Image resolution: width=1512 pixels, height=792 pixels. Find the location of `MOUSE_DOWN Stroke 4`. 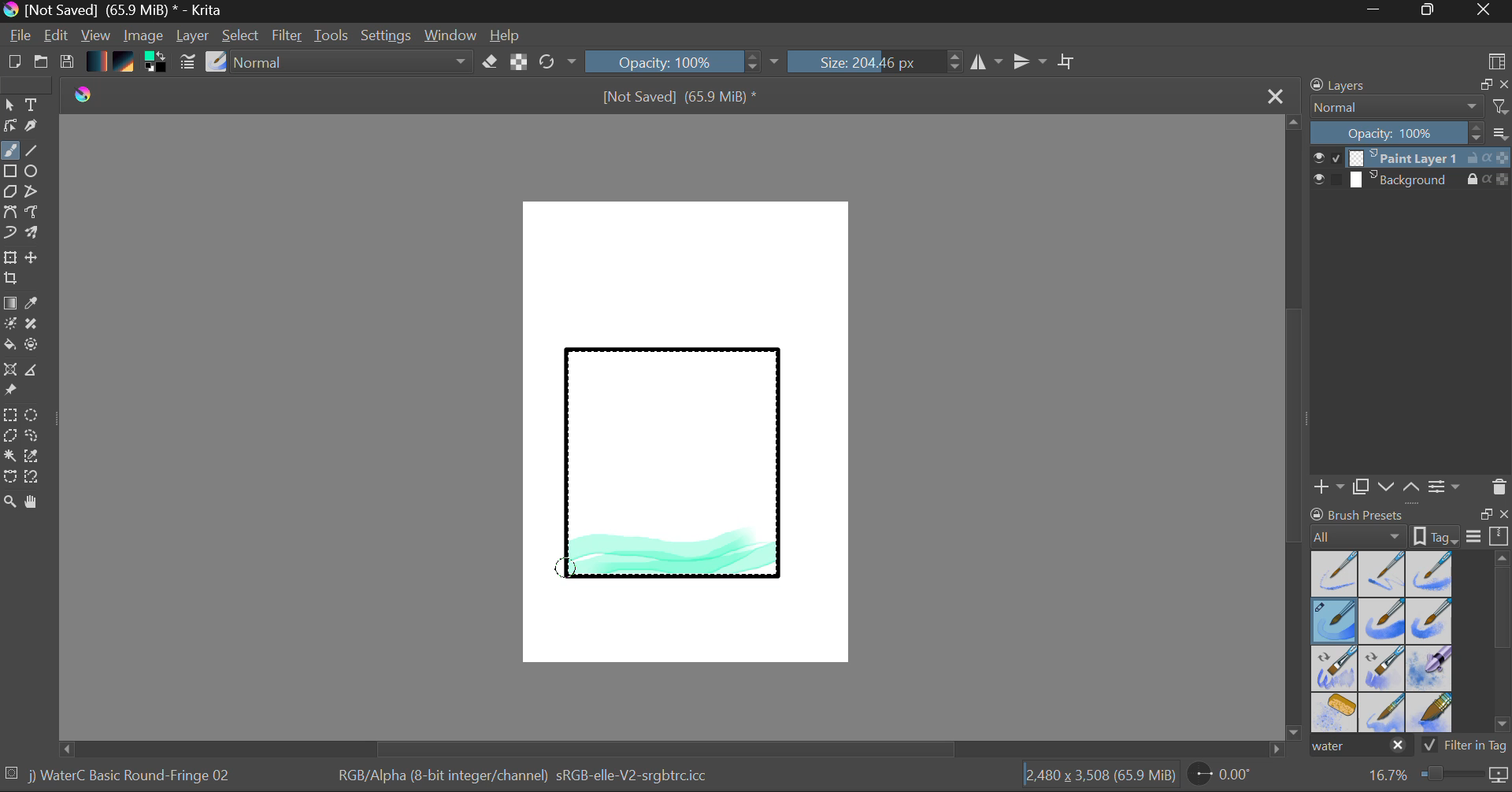

MOUSE_DOWN Stroke 4 is located at coordinates (566, 573).